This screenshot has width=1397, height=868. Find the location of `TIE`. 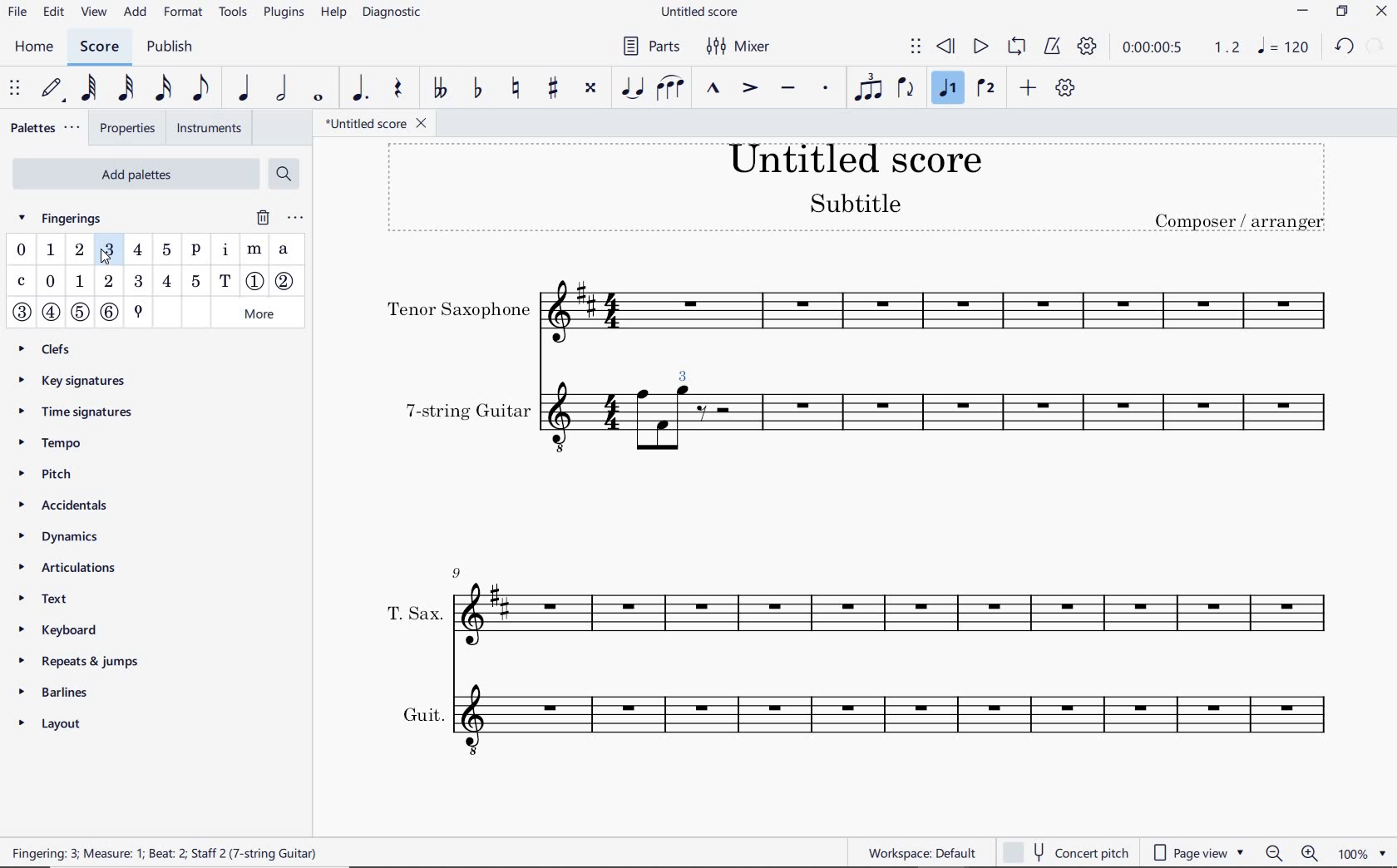

TIE is located at coordinates (631, 87).